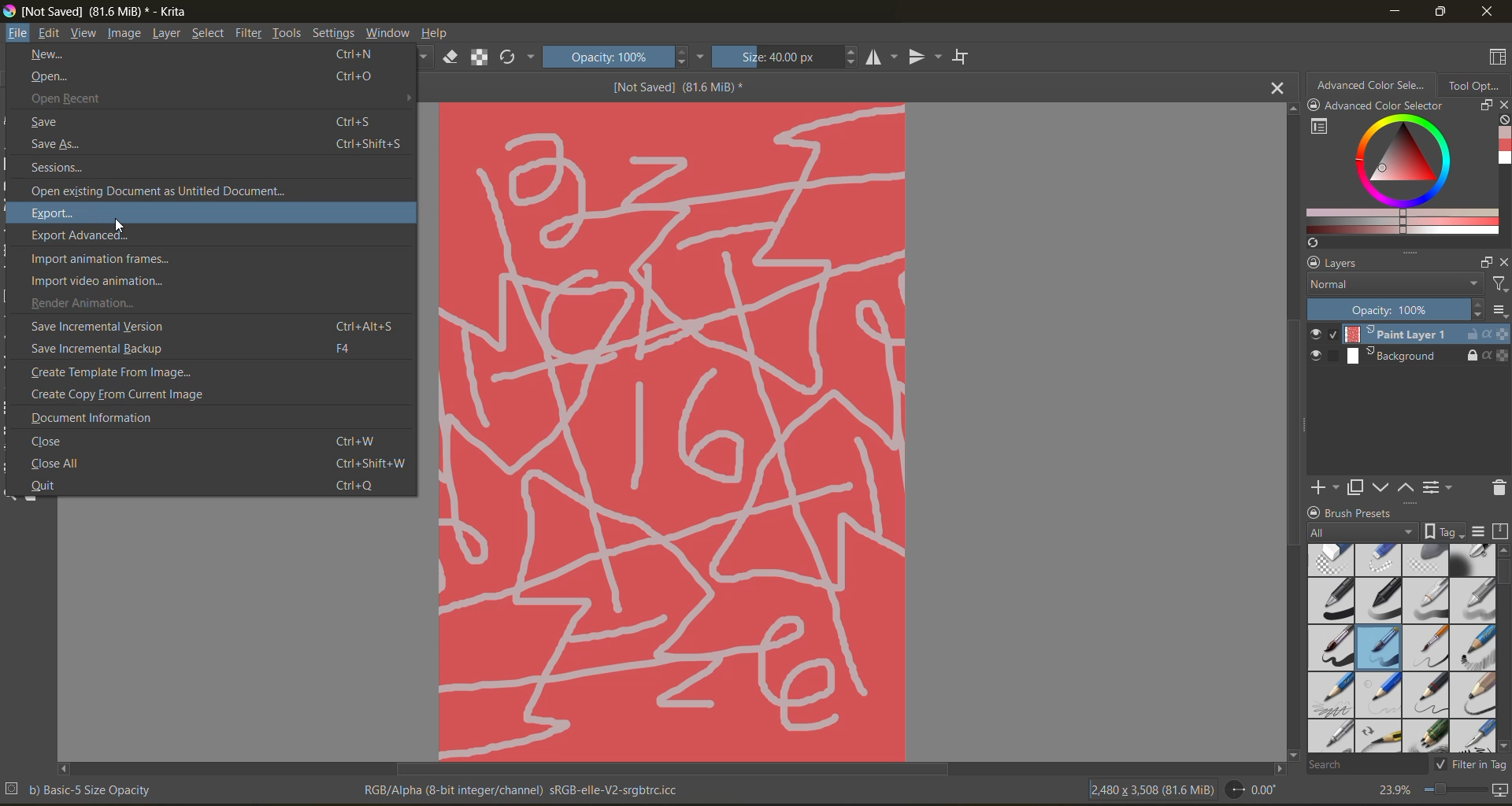 This screenshot has width=1512, height=806. I want to click on Advanced color selector, so click(1503, 148).